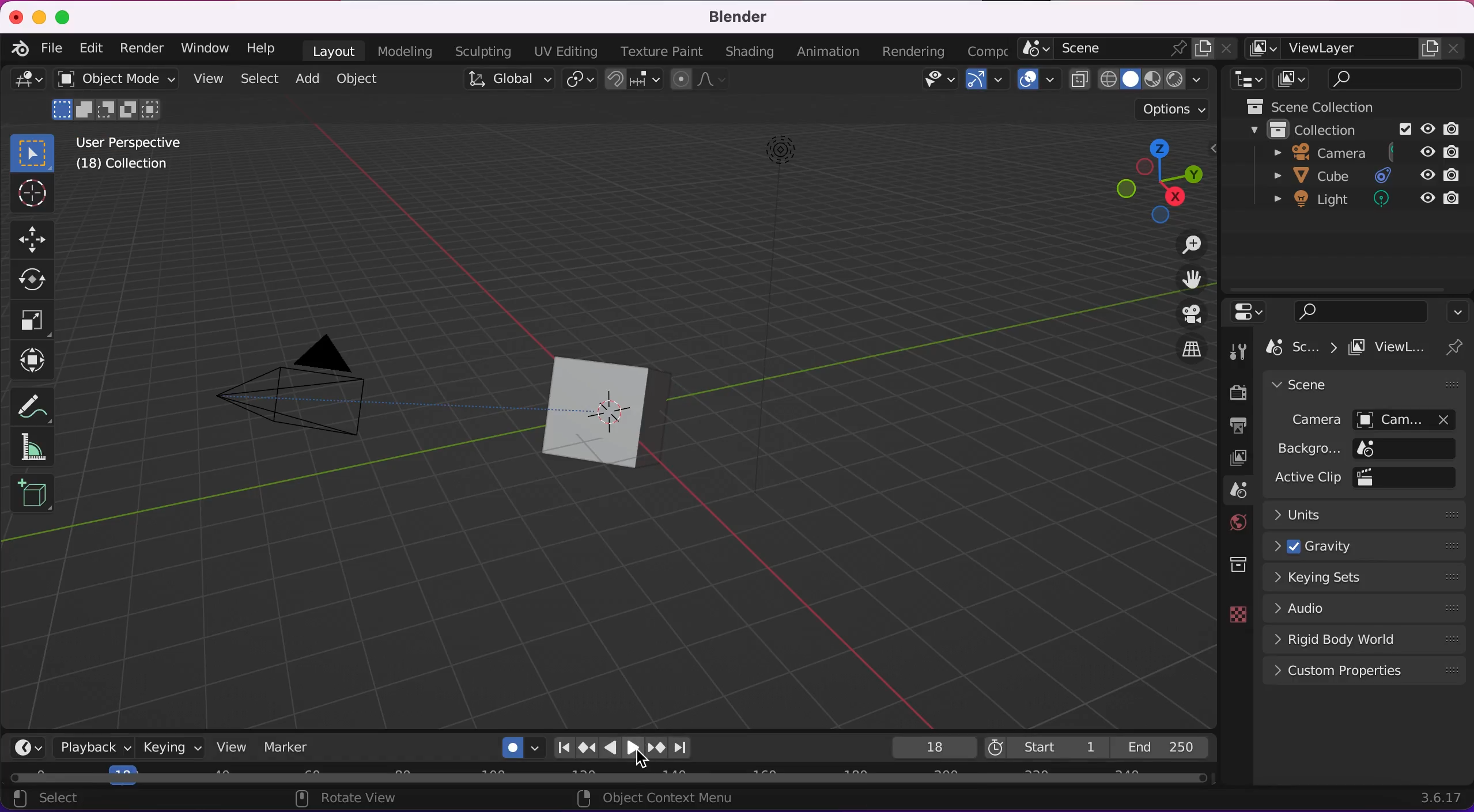 This screenshot has height=812, width=1474. What do you see at coordinates (1046, 748) in the screenshot?
I see `first frame` at bounding box center [1046, 748].